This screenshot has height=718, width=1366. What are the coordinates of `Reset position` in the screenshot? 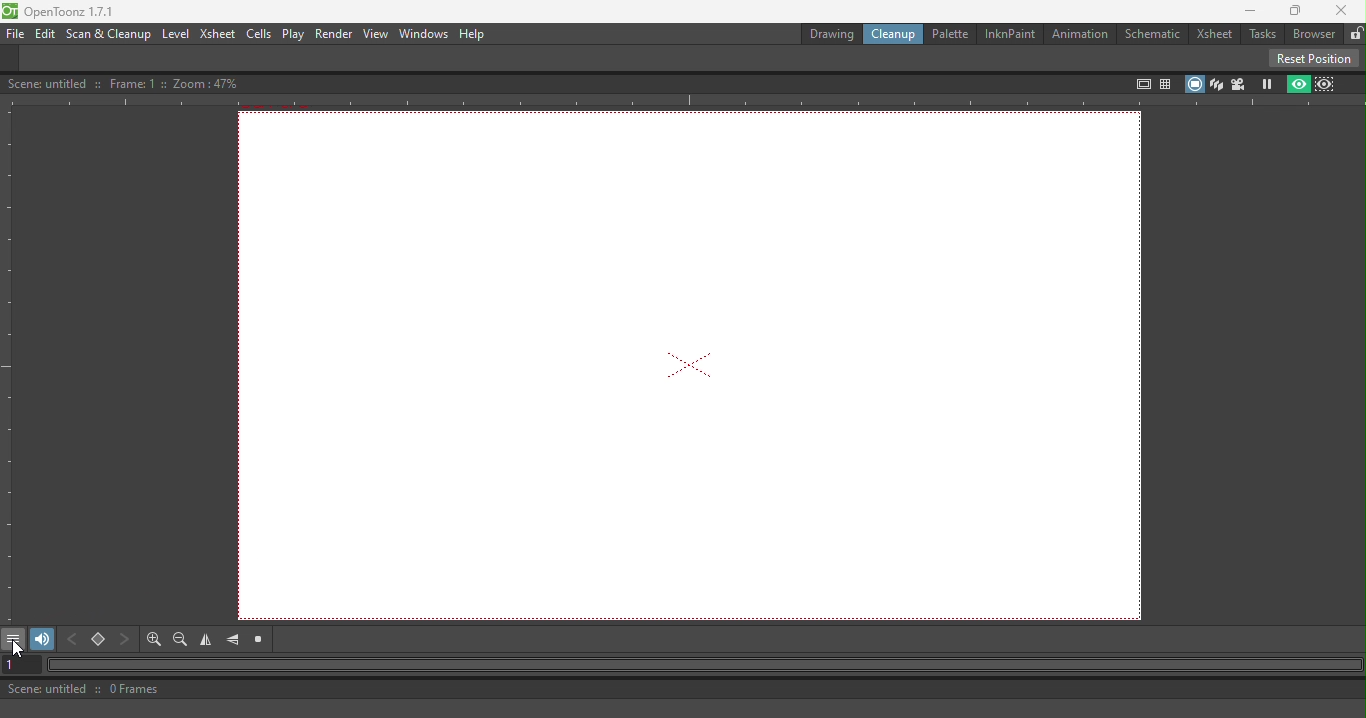 It's located at (1317, 57).